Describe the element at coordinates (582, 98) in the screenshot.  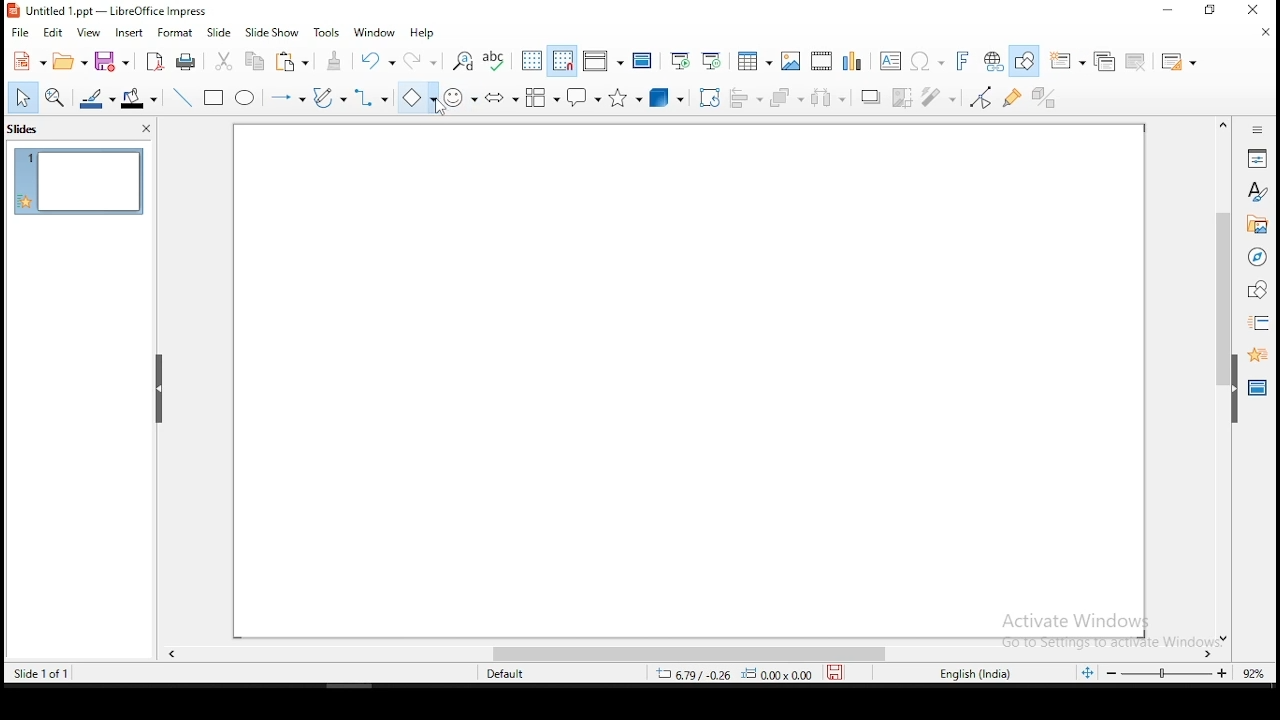
I see `callout shapes` at that location.